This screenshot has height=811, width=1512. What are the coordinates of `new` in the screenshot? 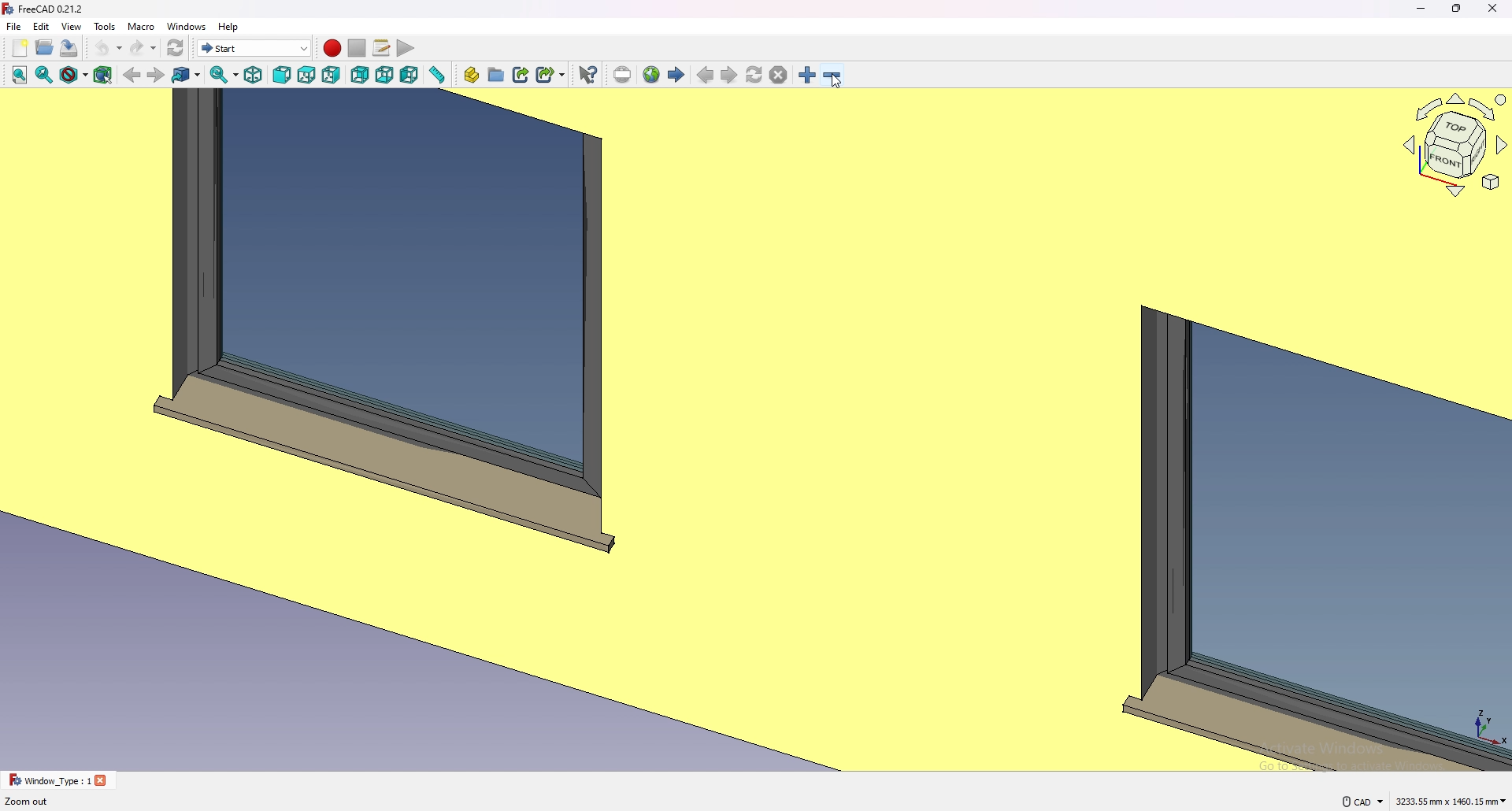 It's located at (20, 48).